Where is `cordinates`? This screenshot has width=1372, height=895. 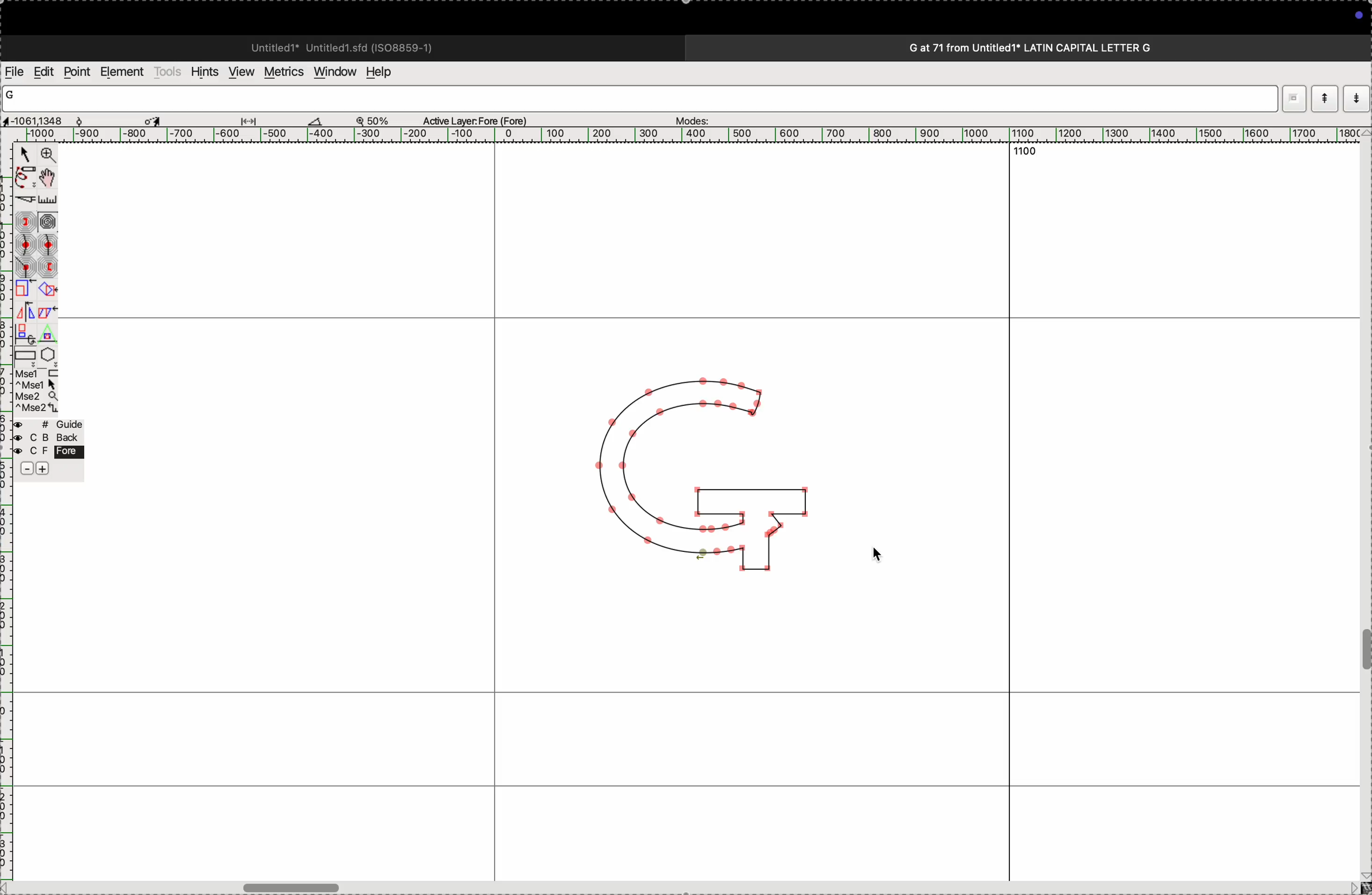 cordinates is located at coordinates (40, 119).